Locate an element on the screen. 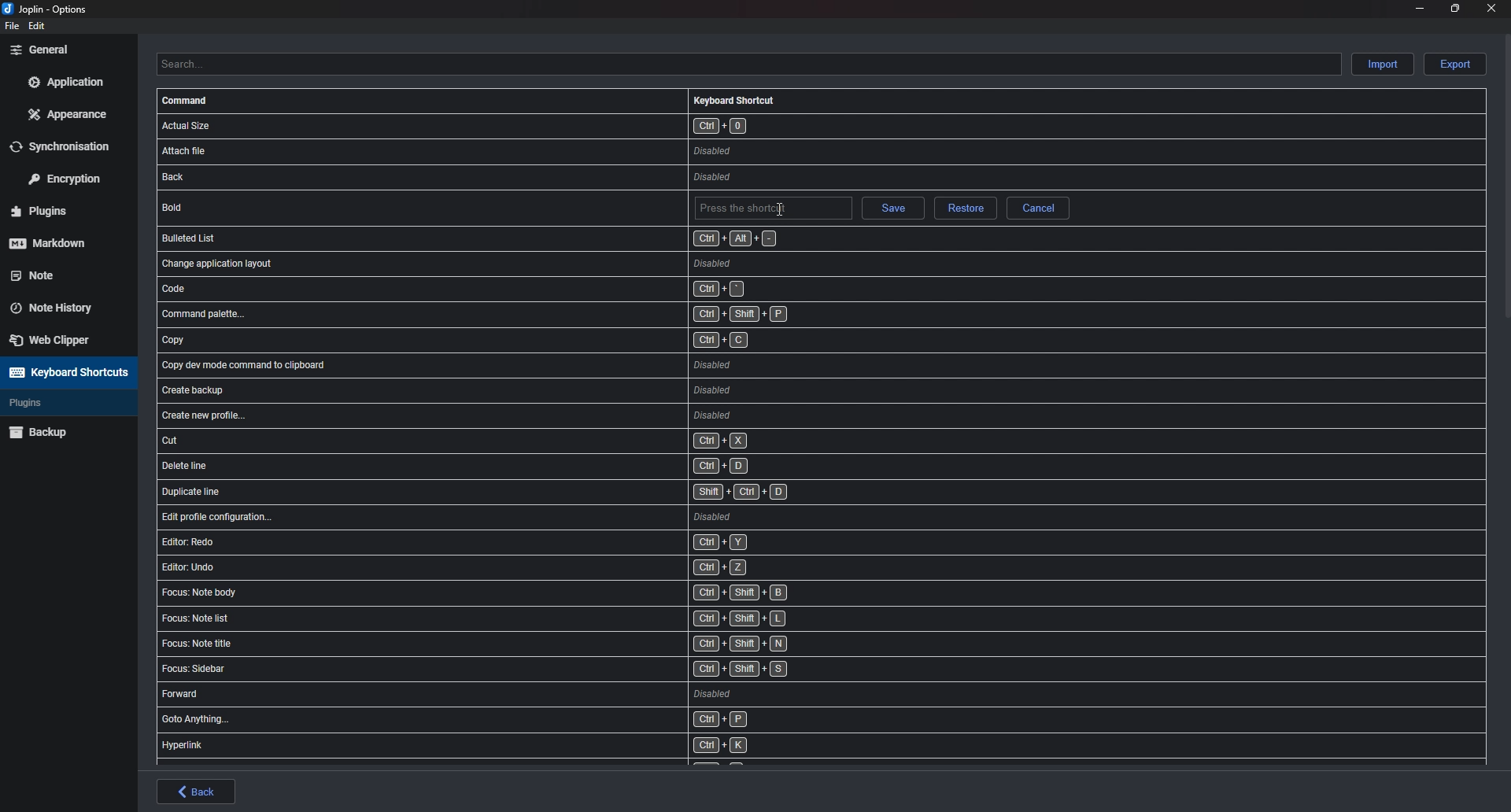  shortcut is located at coordinates (537, 466).